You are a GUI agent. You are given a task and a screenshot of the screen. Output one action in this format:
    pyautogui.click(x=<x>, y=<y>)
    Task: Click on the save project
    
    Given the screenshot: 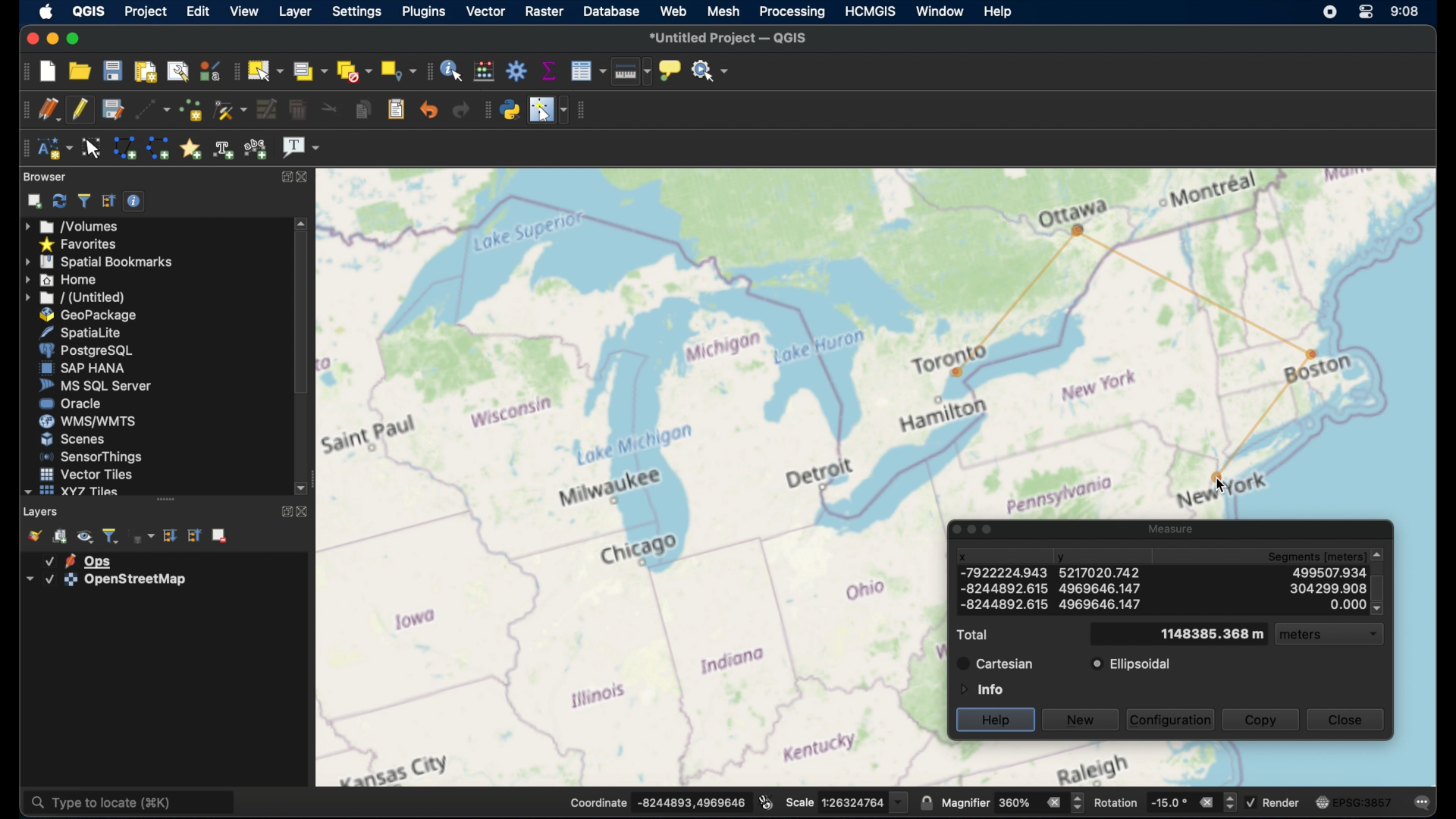 What is the action you would take?
    pyautogui.click(x=113, y=70)
    